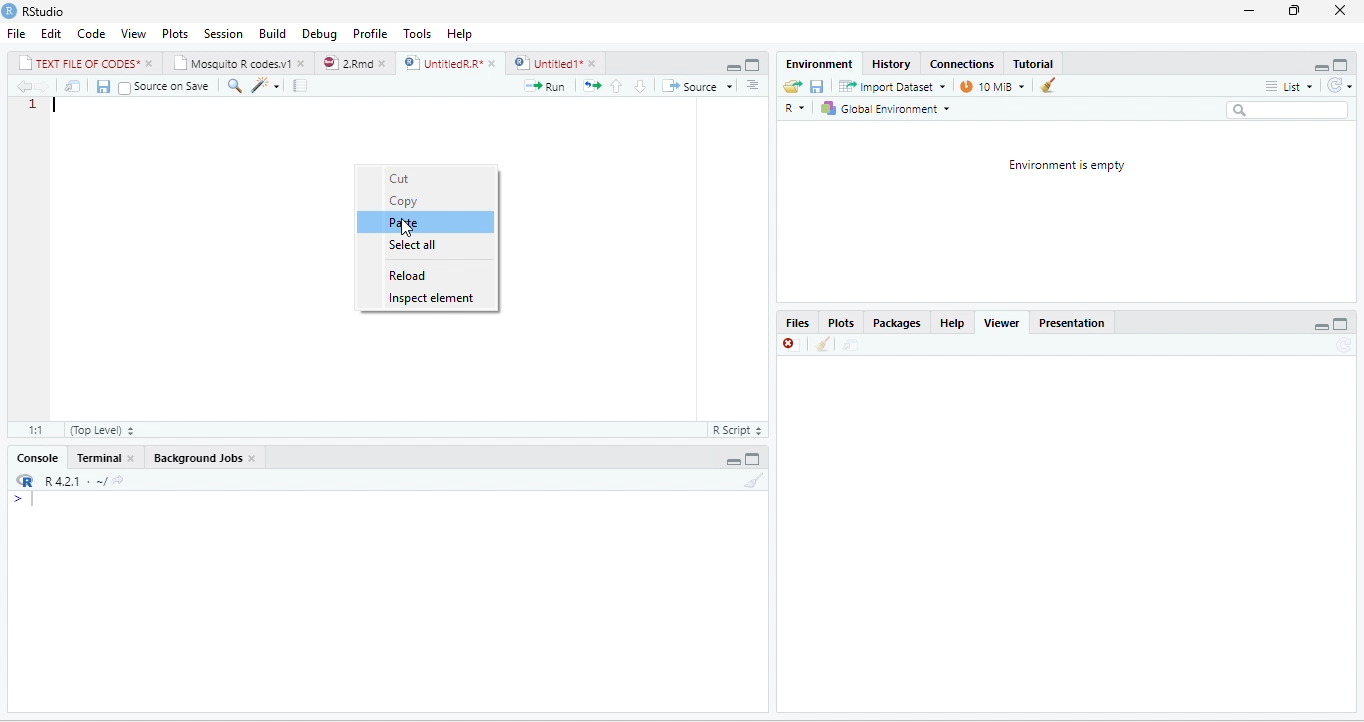  What do you see at coordinates (848, 346) in the screenshot?
I see `move` at bounding box center [848, 346].